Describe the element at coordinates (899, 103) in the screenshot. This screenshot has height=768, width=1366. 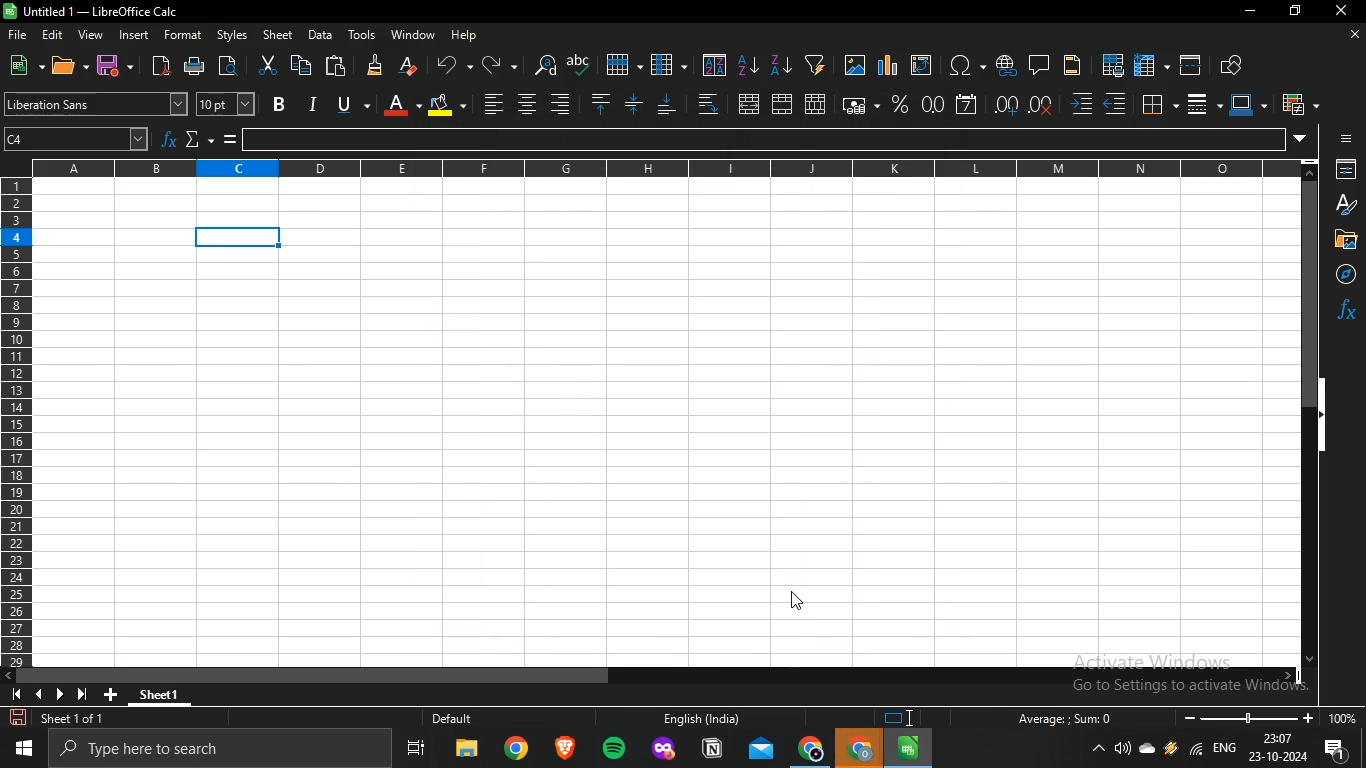
I see `format as percent ` at that location.